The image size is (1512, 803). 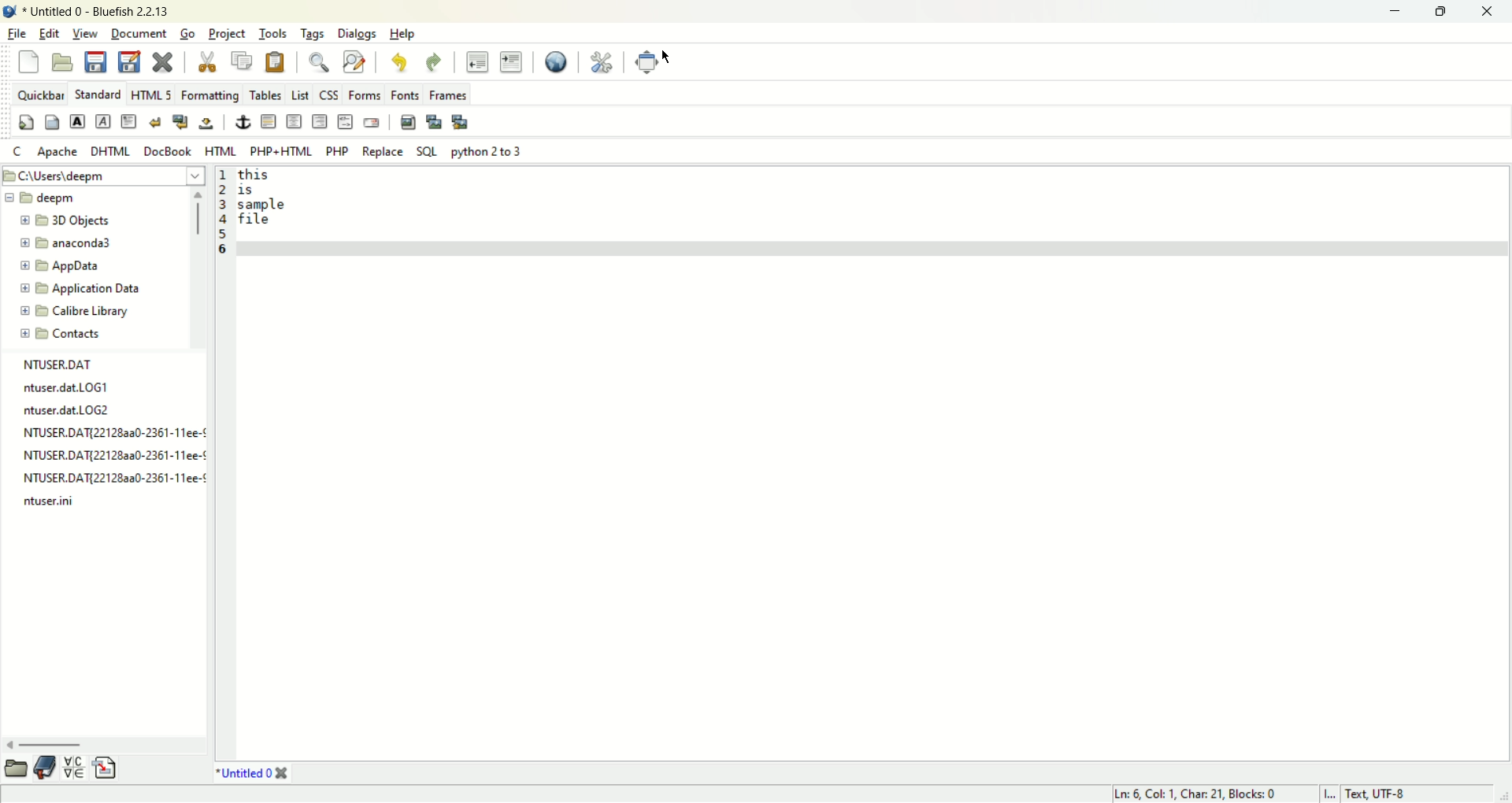 What do you see at coordinates (190, 32) in the screenshot?
I see `go` at bounding box center [190, 32].